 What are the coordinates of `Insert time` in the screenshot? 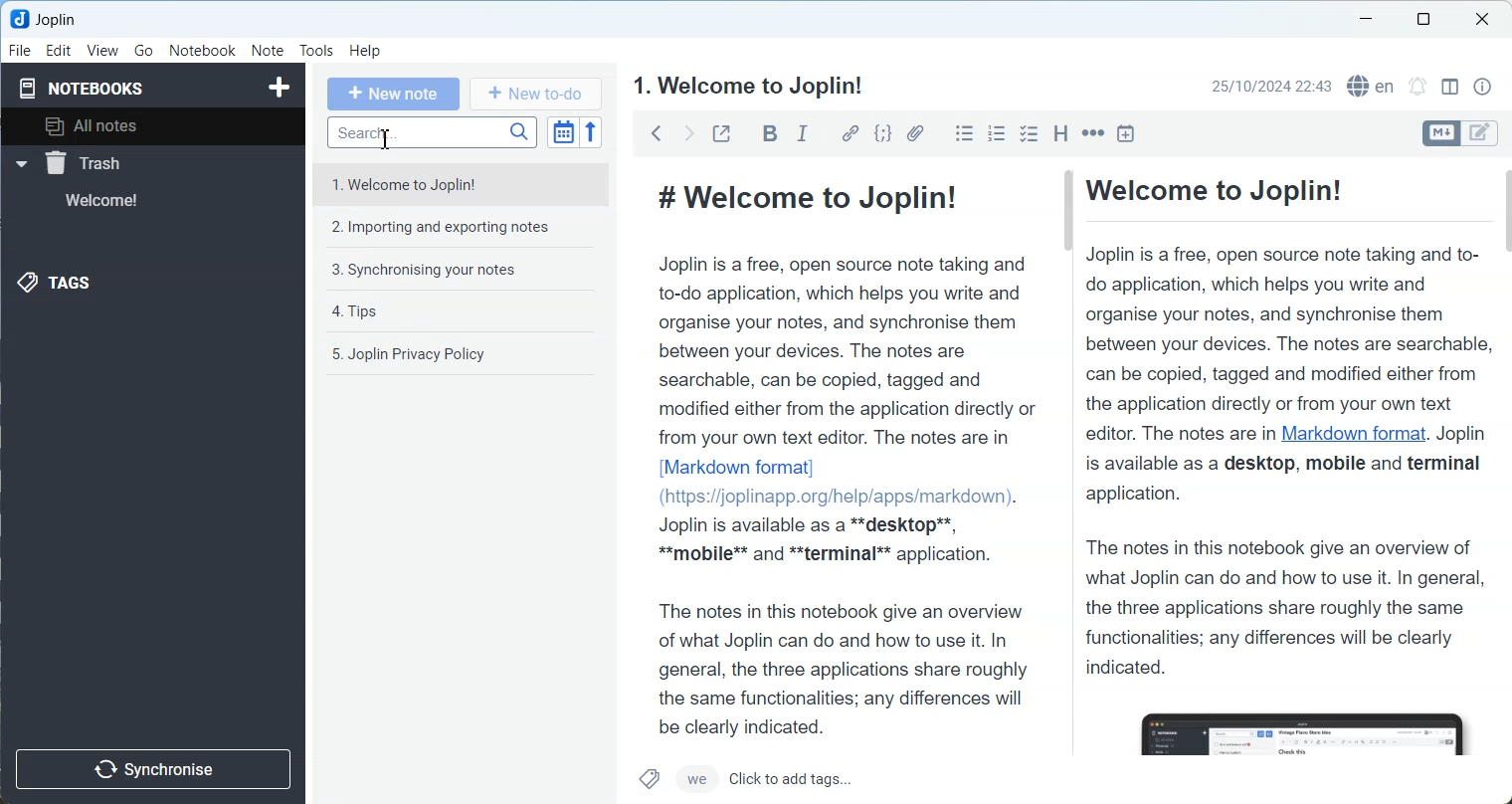 It's located at (1126, 132).